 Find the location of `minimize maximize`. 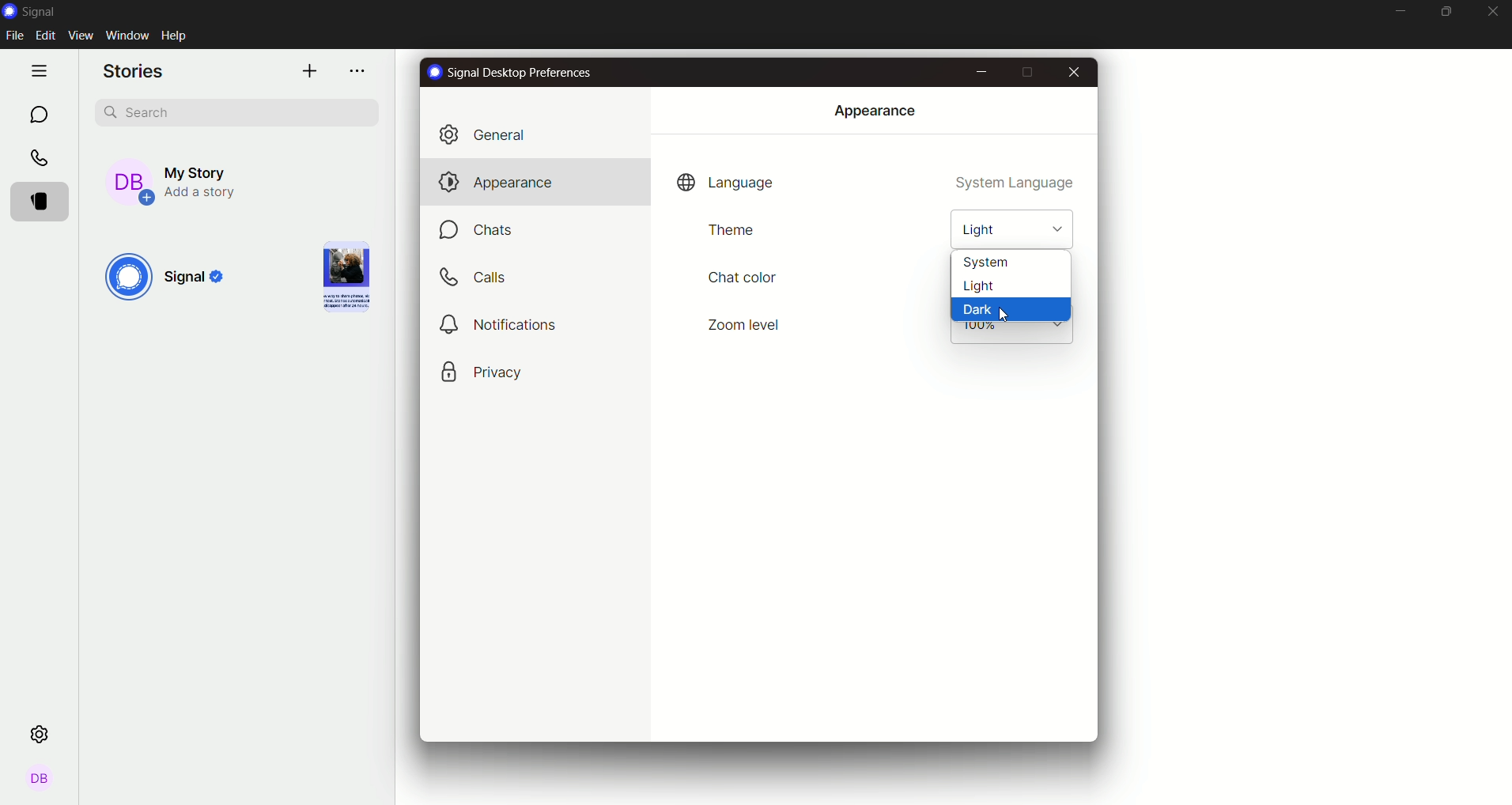

minimize maximize is located at coordinates (1447, 12).